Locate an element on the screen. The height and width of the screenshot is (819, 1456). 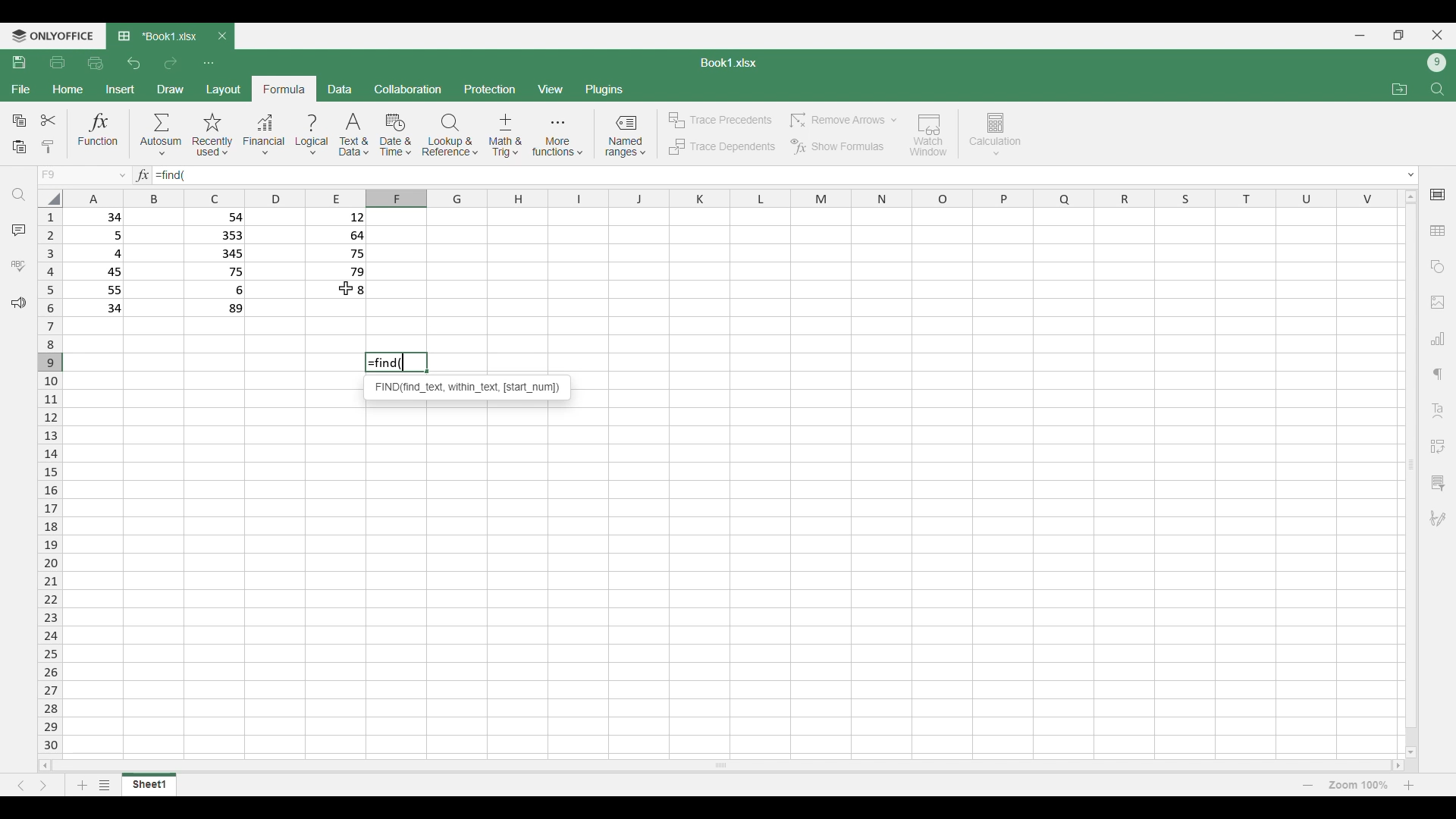
Type in equation is located at coordinates (789, 175).